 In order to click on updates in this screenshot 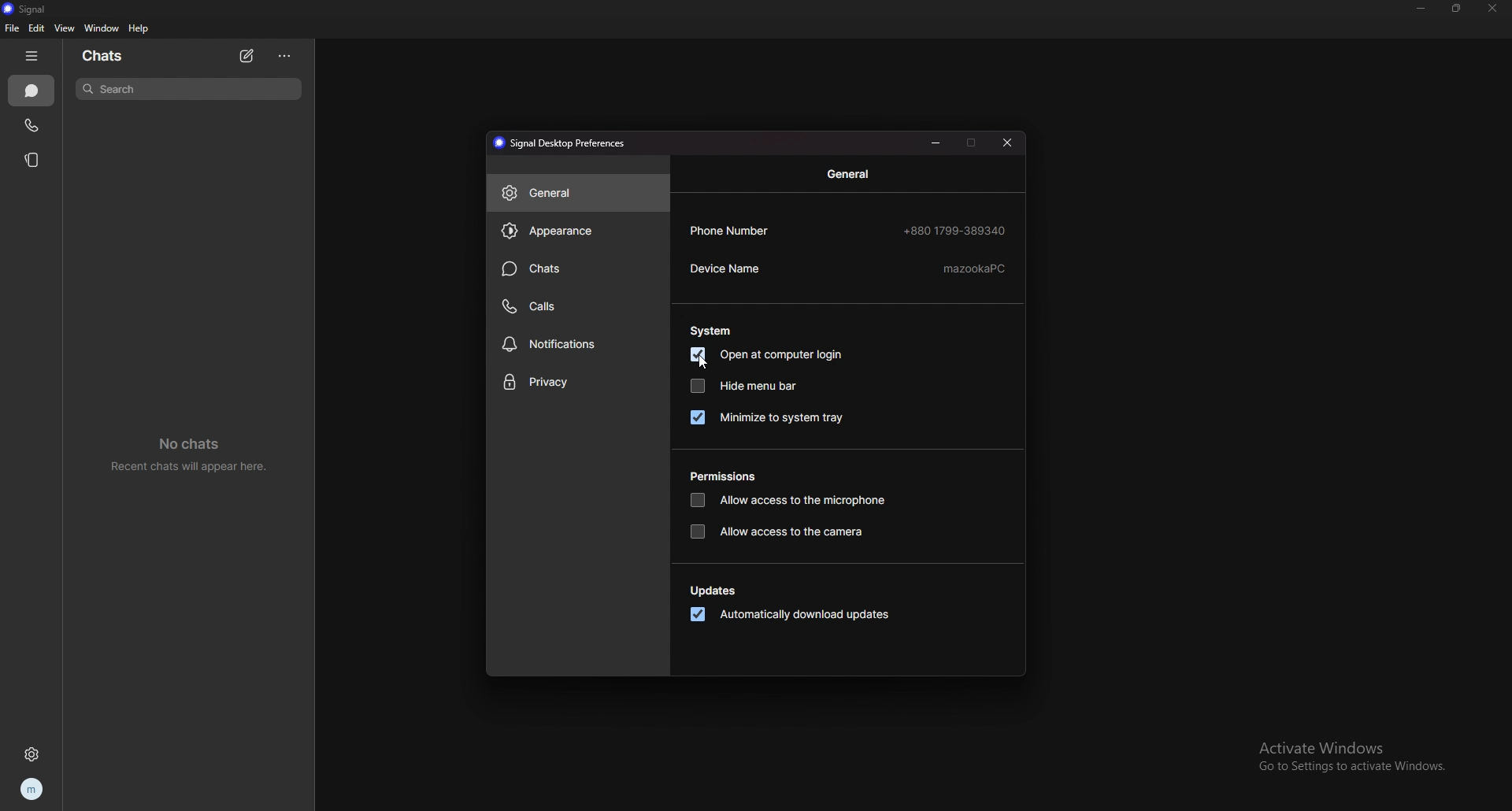, I will do `click(717, 592)`.